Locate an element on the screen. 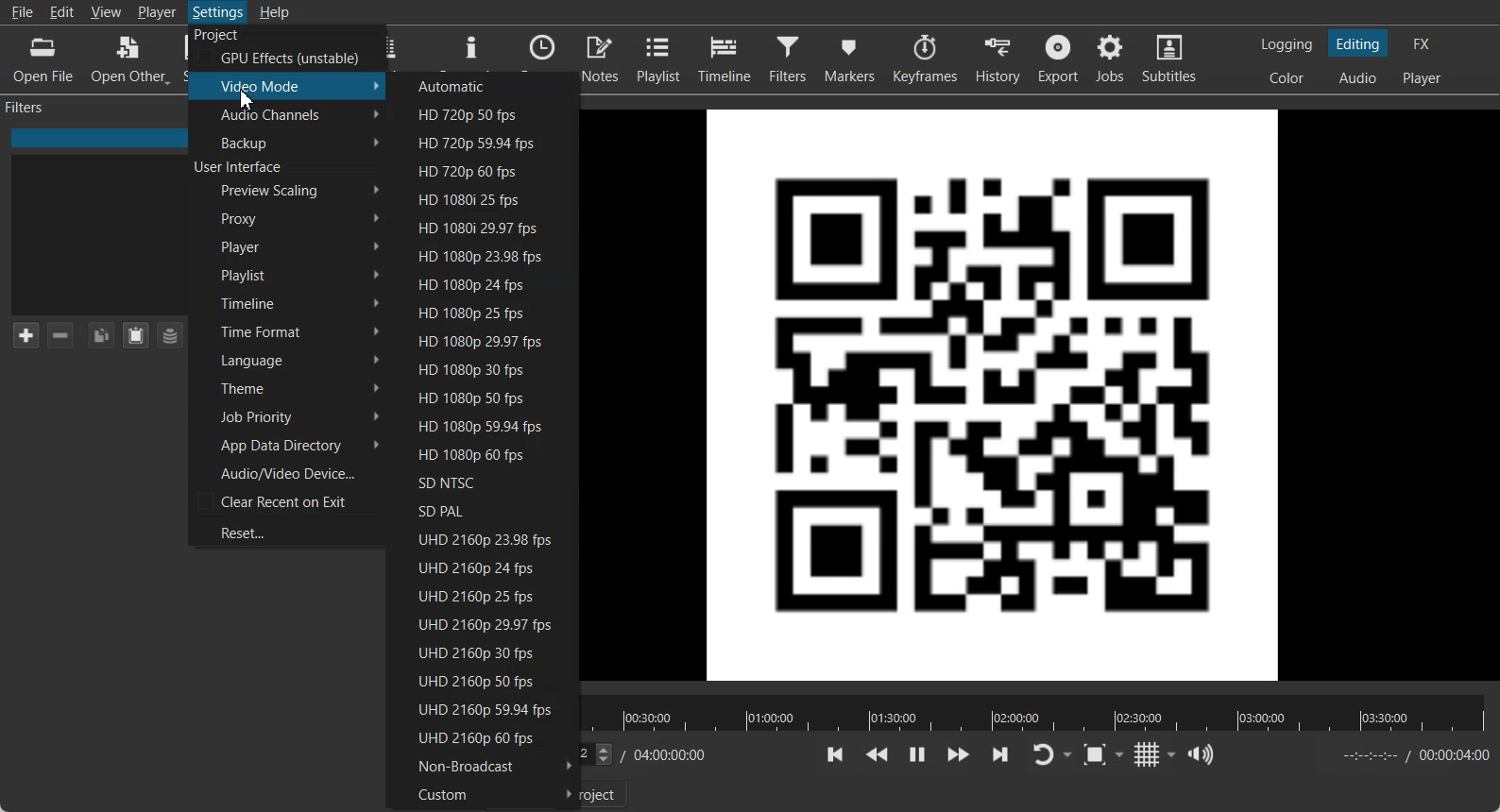 This screenshot has height=812, width=1500. UHD 2160p 60 fps is located at coordinates (478, 737).